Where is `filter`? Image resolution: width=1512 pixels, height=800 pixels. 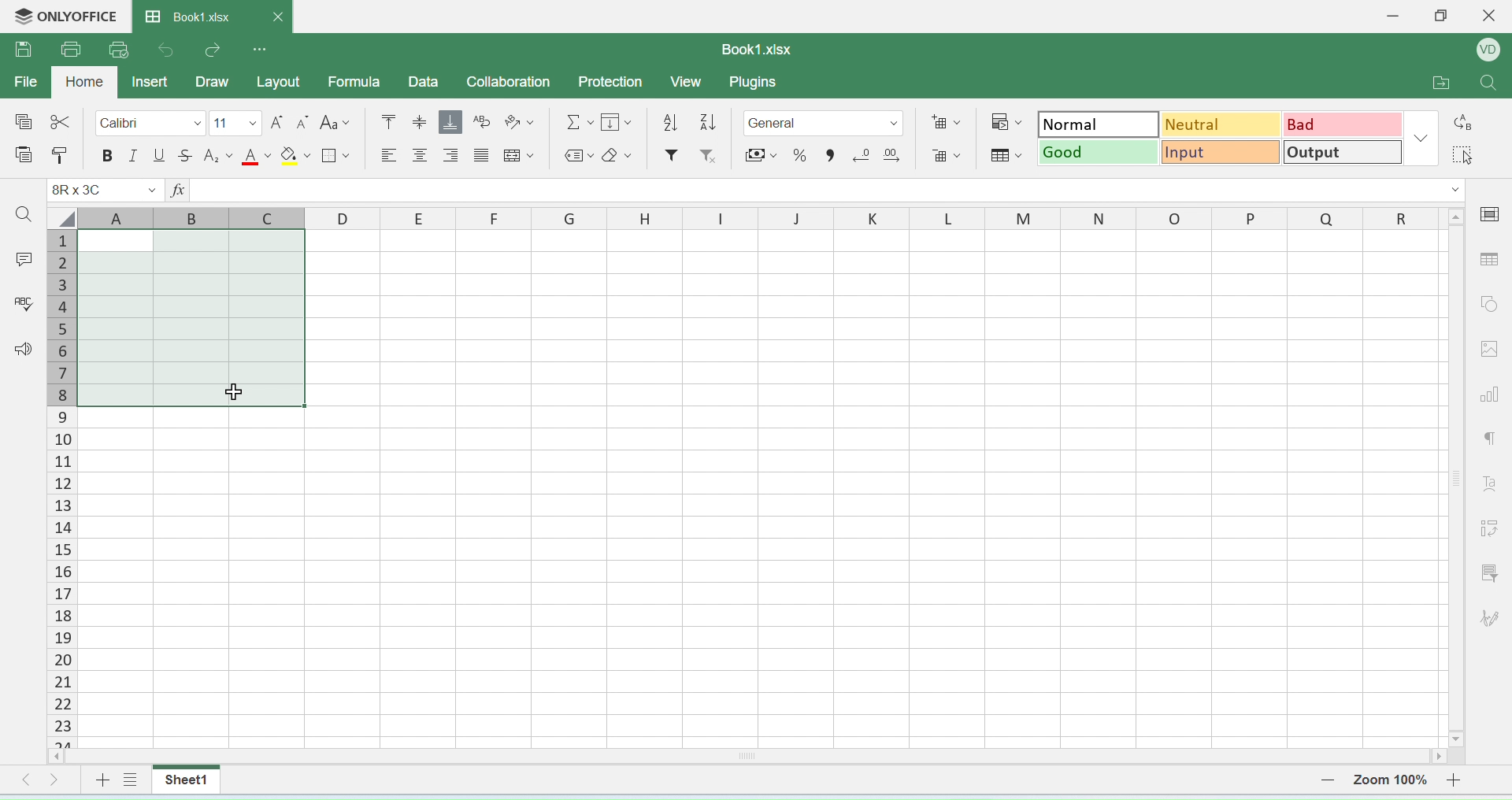
filter is located at coordinates (672, 155).